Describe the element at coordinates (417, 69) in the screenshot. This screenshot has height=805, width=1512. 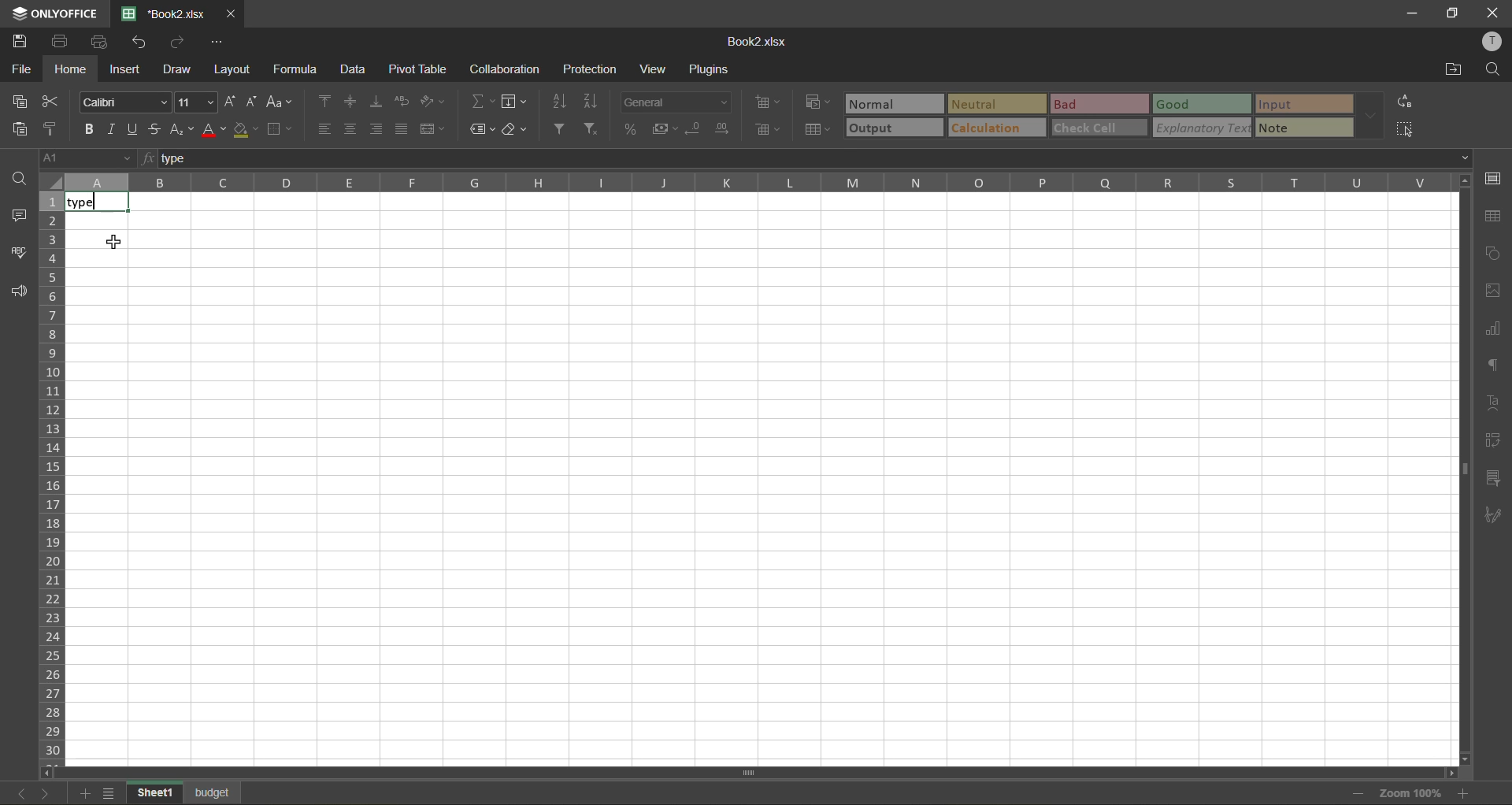
I see `pivot table` at that location.